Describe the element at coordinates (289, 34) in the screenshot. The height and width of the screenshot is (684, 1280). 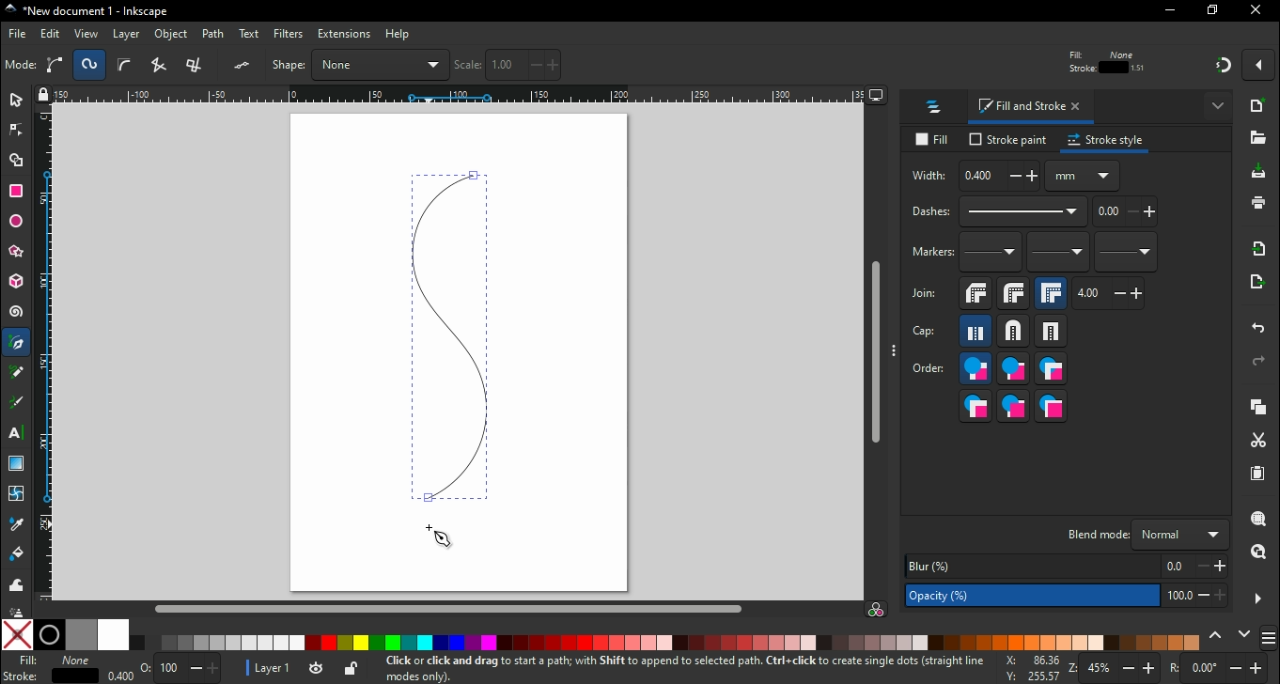
I see `filters` at that location.